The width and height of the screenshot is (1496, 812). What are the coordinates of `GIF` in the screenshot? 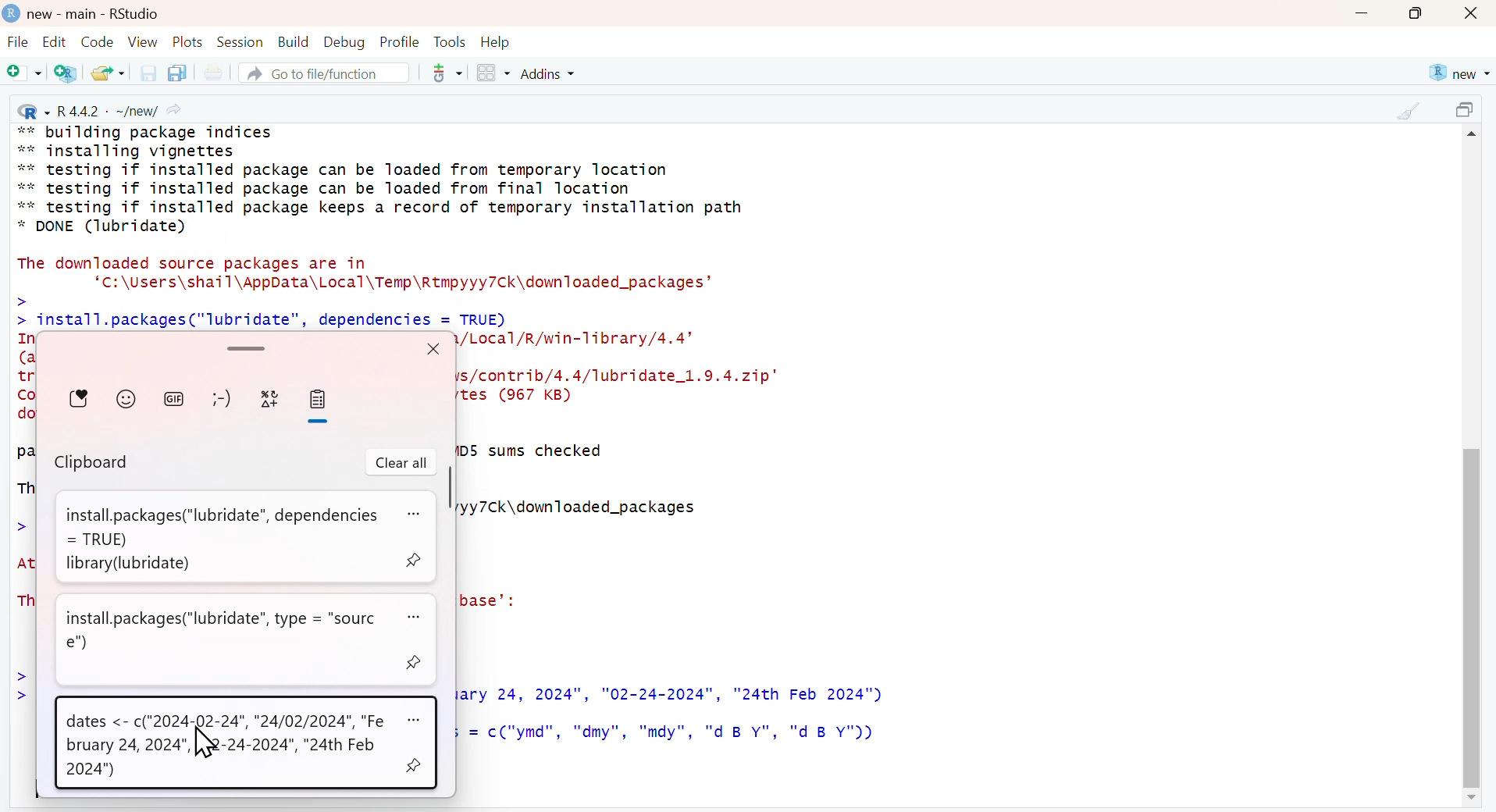 It's located at (174, 397).